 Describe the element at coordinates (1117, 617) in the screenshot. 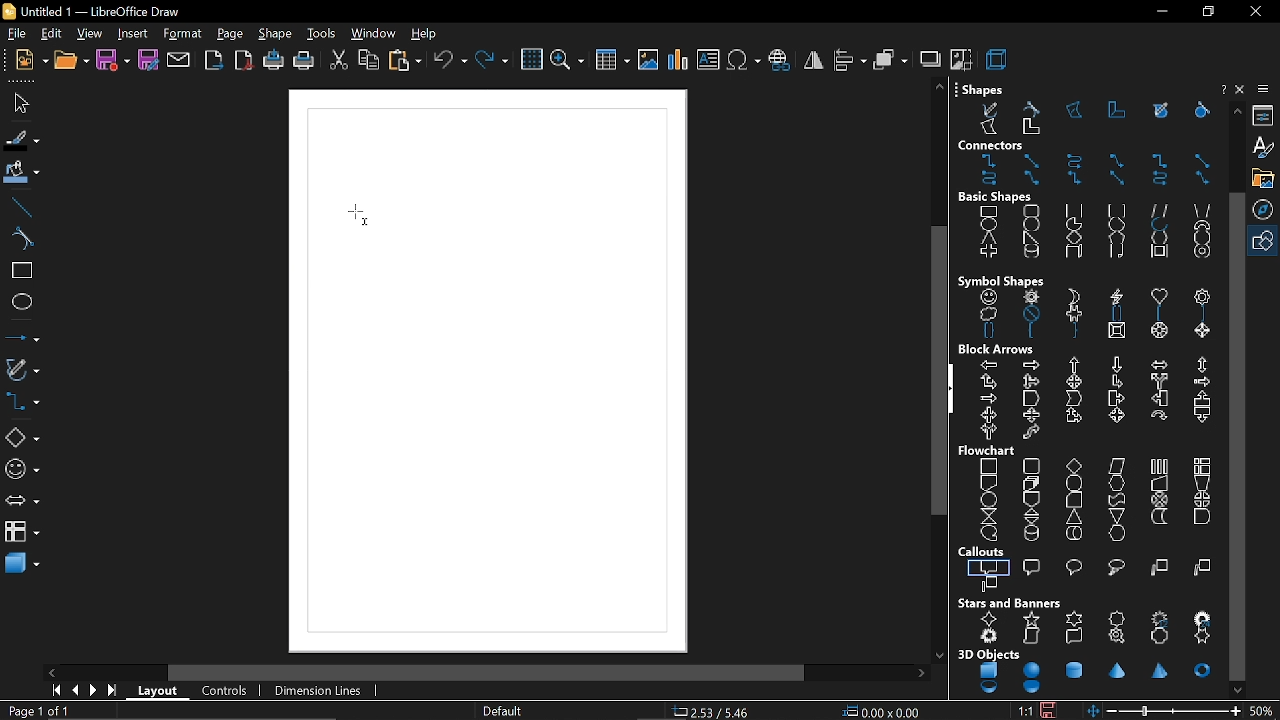

I see `8 point star` at that location.